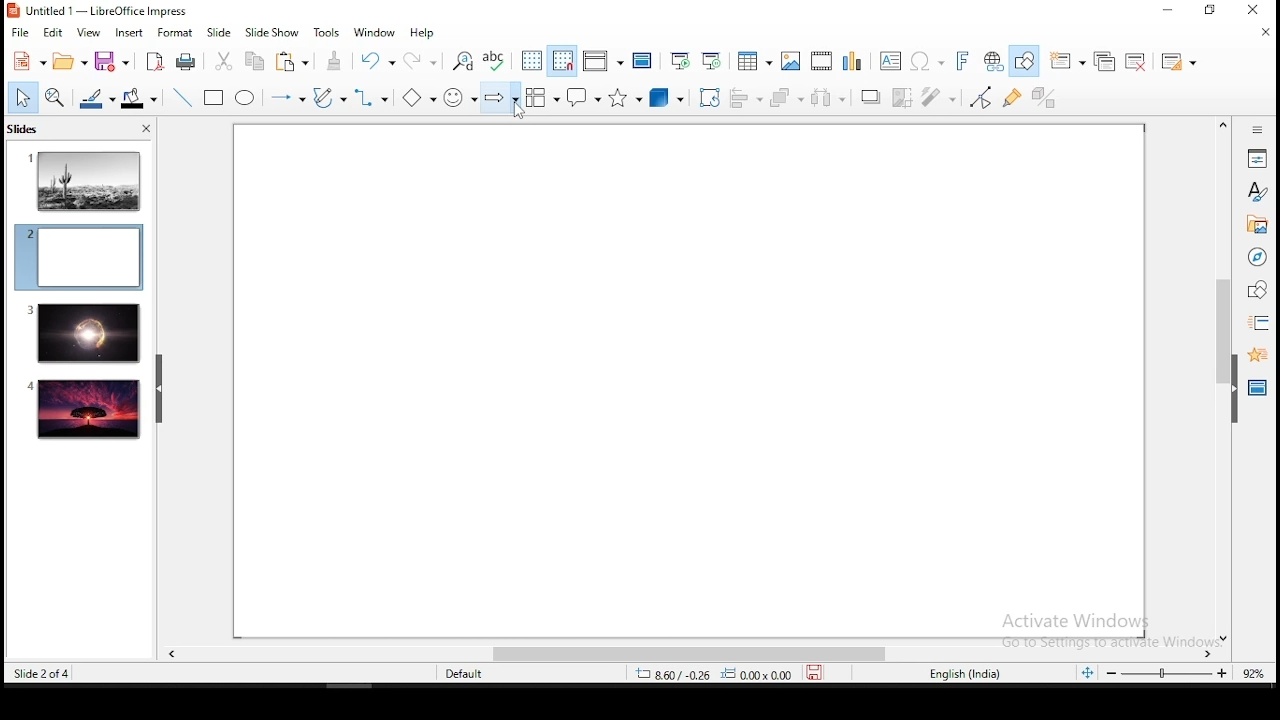  Describe the element at coordinates (175, 31) in the screenshot. I see `format` at that location.